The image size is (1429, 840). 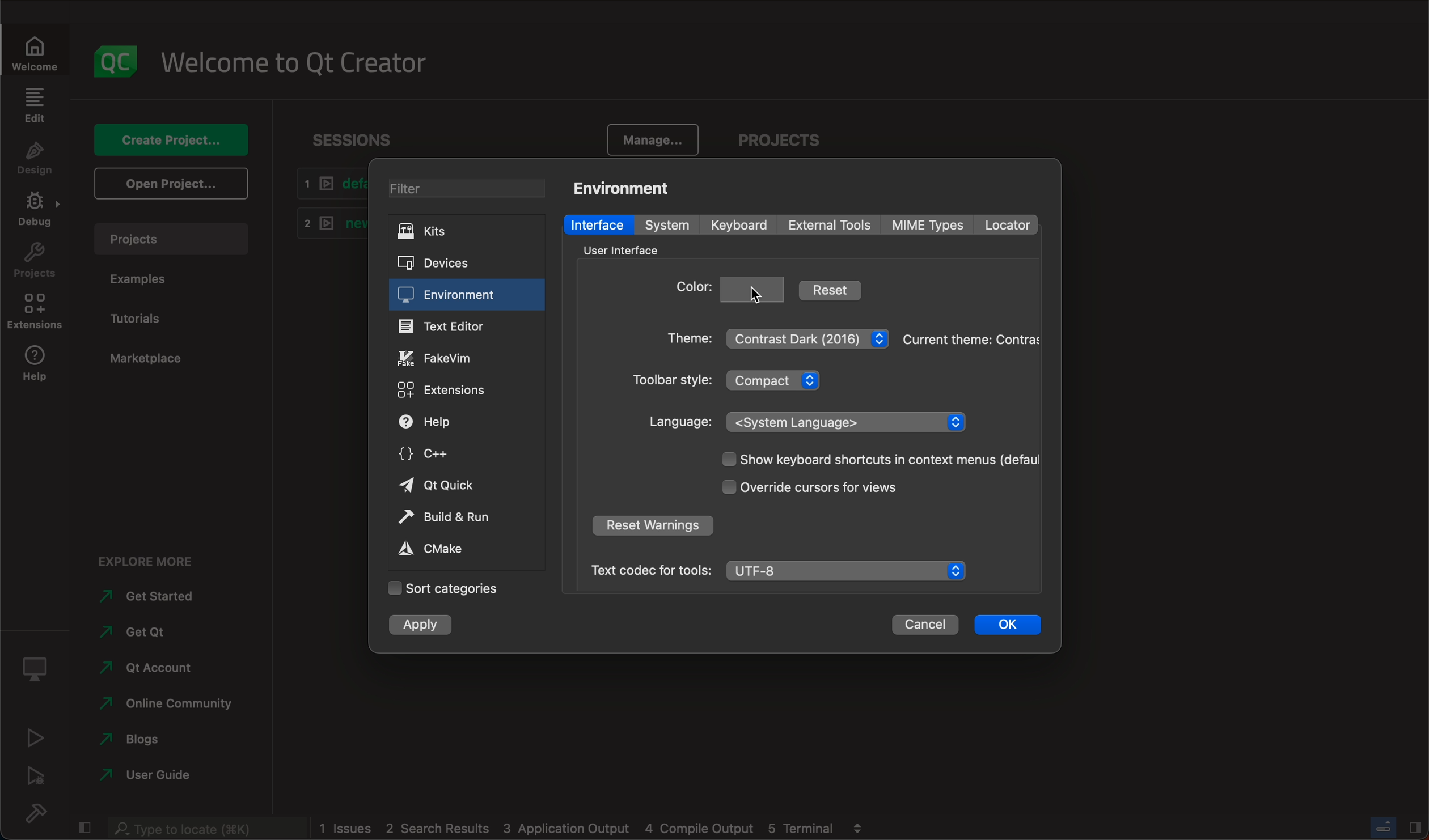 I want to click on system, so click(x=672, y=226).